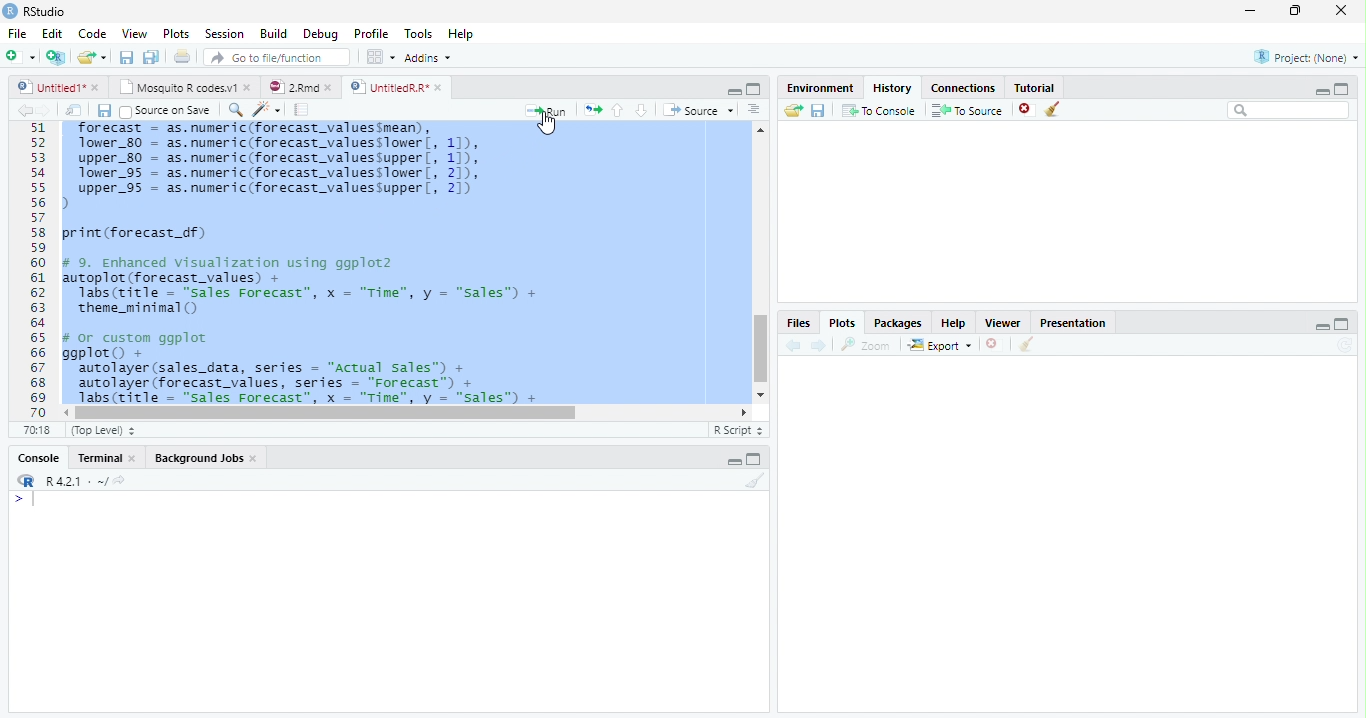  I want to click on Print, so click(182, 57).